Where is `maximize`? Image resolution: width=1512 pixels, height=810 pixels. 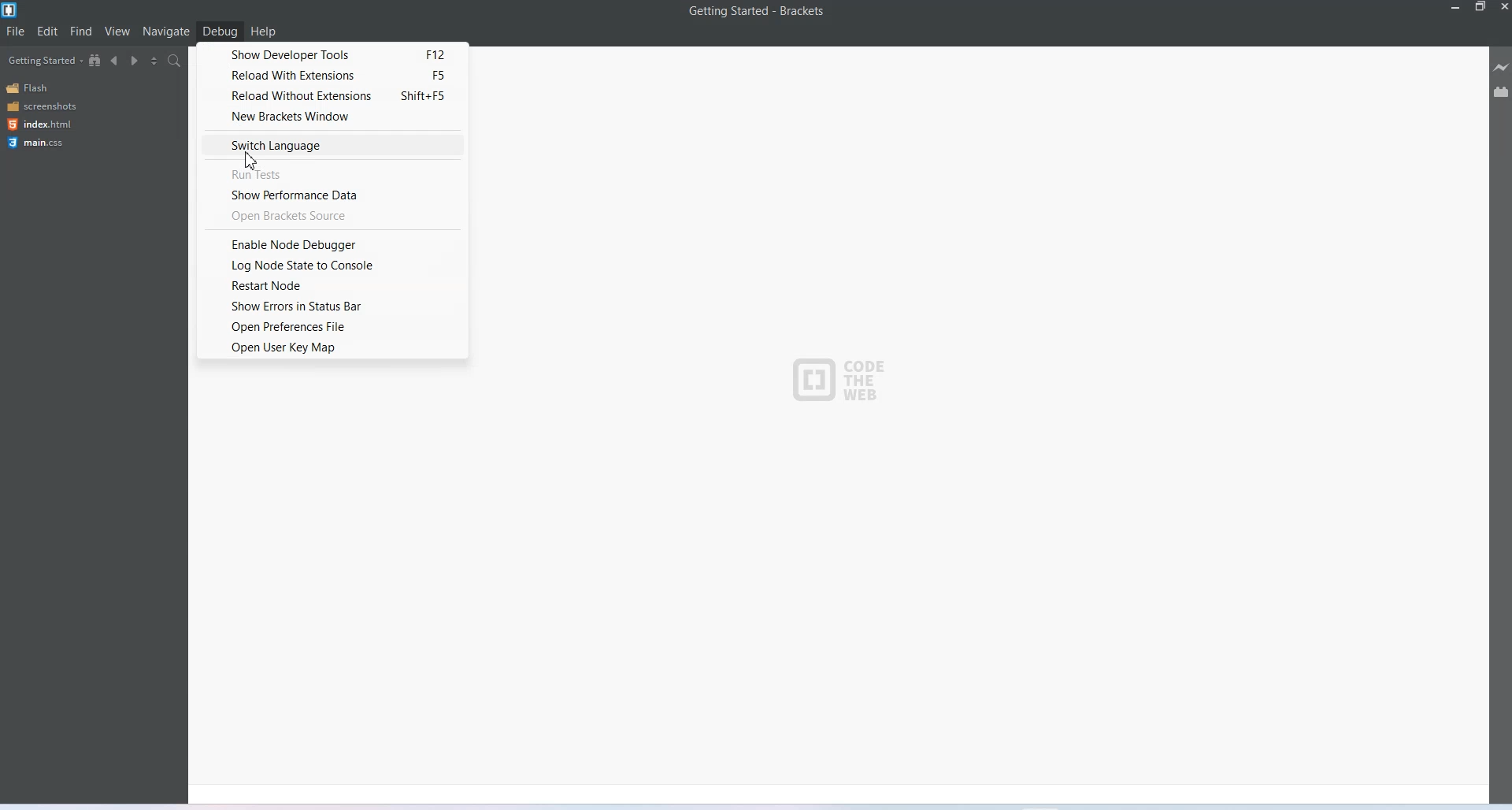
maximize is located at coordinates (1480, 8).